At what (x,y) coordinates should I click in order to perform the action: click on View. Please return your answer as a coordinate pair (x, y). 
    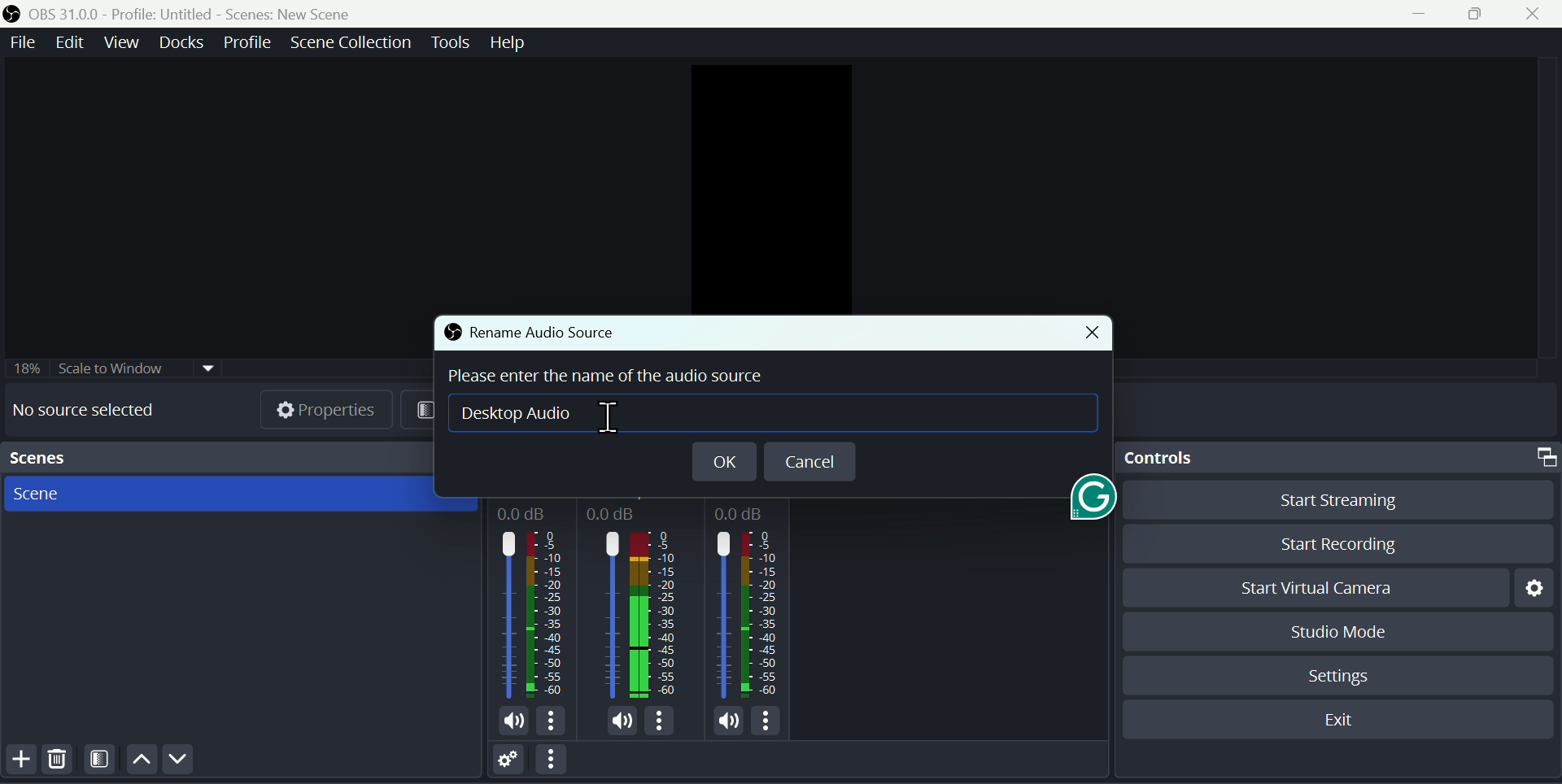
    Looking at the image, I should click on (120, 44).